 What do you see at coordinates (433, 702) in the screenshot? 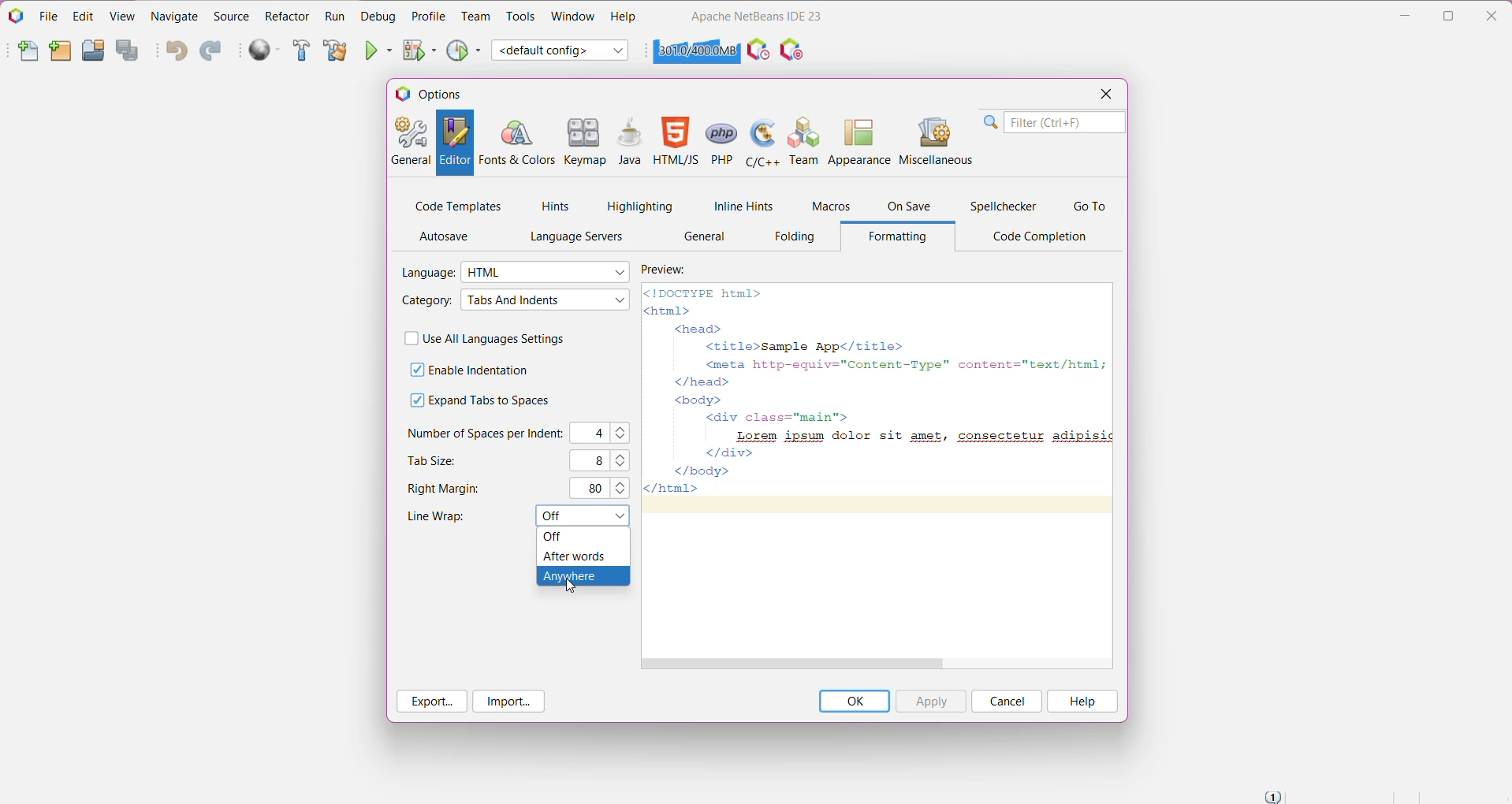
I see `Export` at bounding box center [433, 702].